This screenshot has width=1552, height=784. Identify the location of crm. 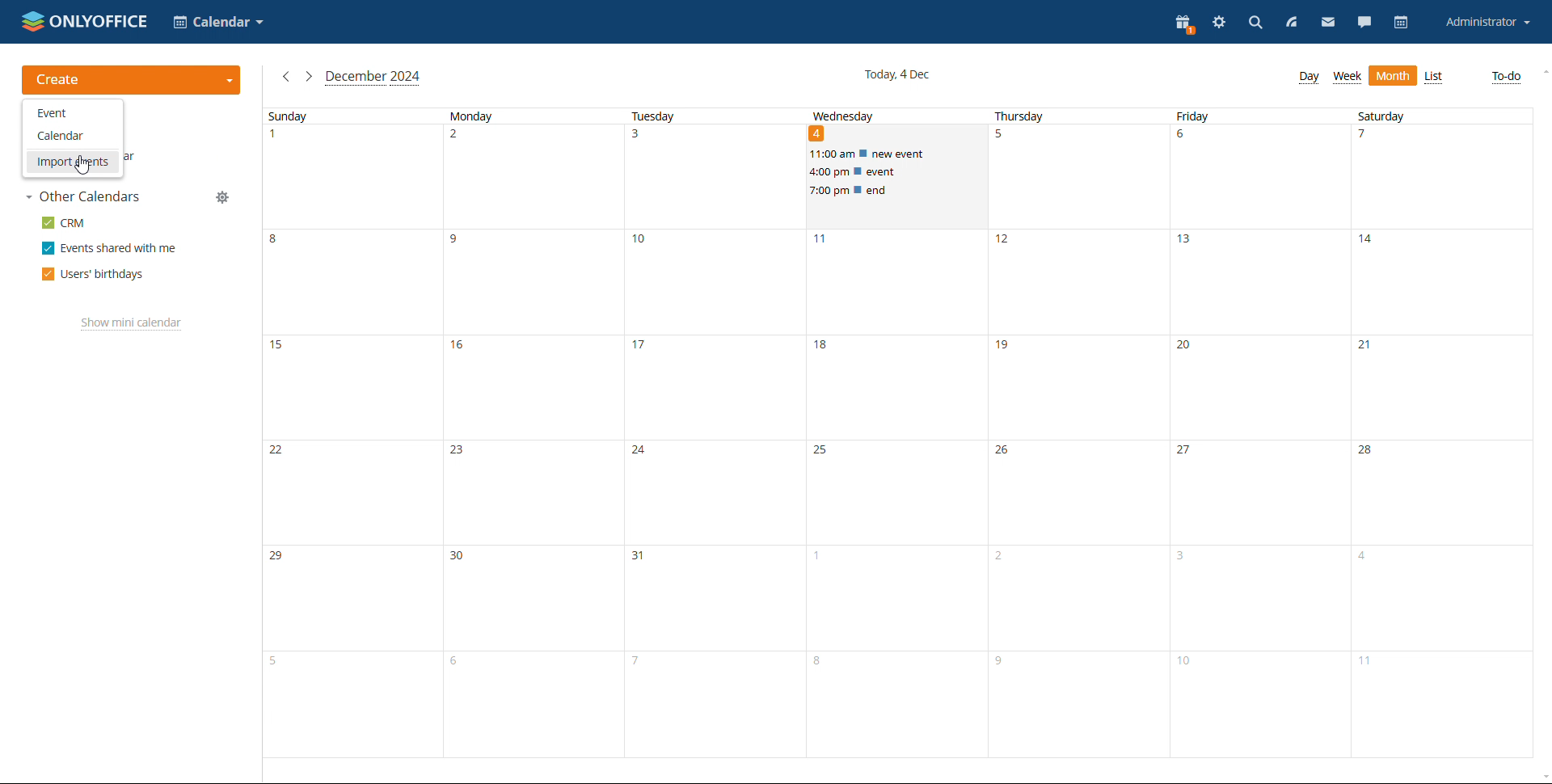
(64, 222).